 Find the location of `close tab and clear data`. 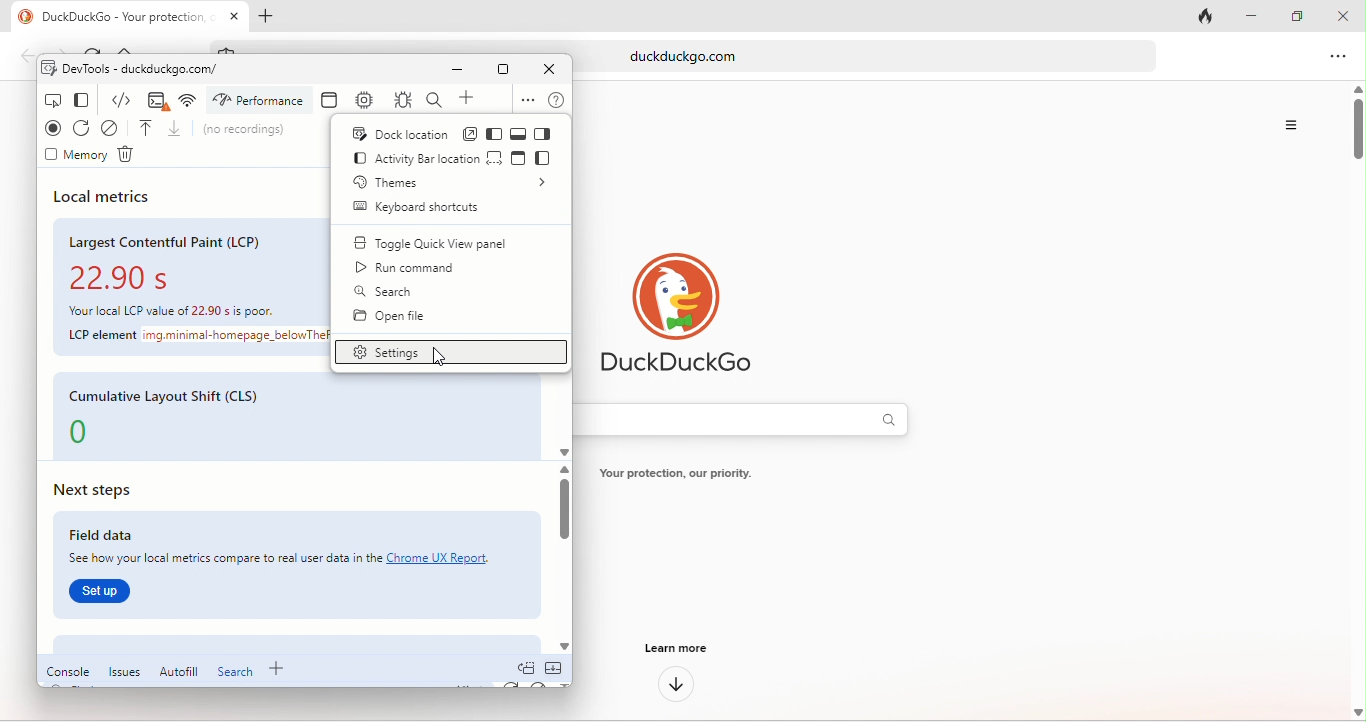

close tab and clear data is located at coordinates (1207, 15).